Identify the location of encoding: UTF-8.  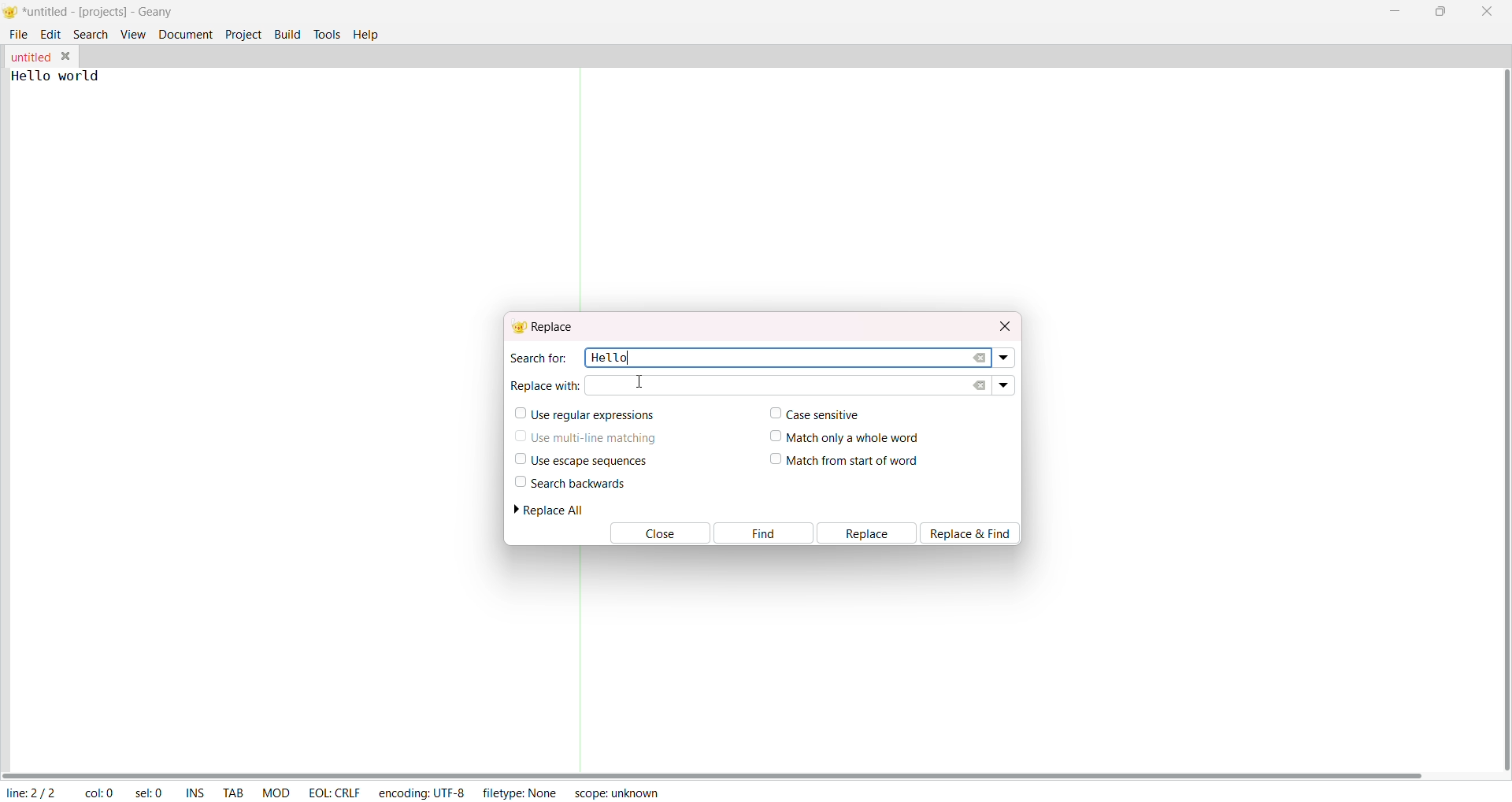
(421, 792).